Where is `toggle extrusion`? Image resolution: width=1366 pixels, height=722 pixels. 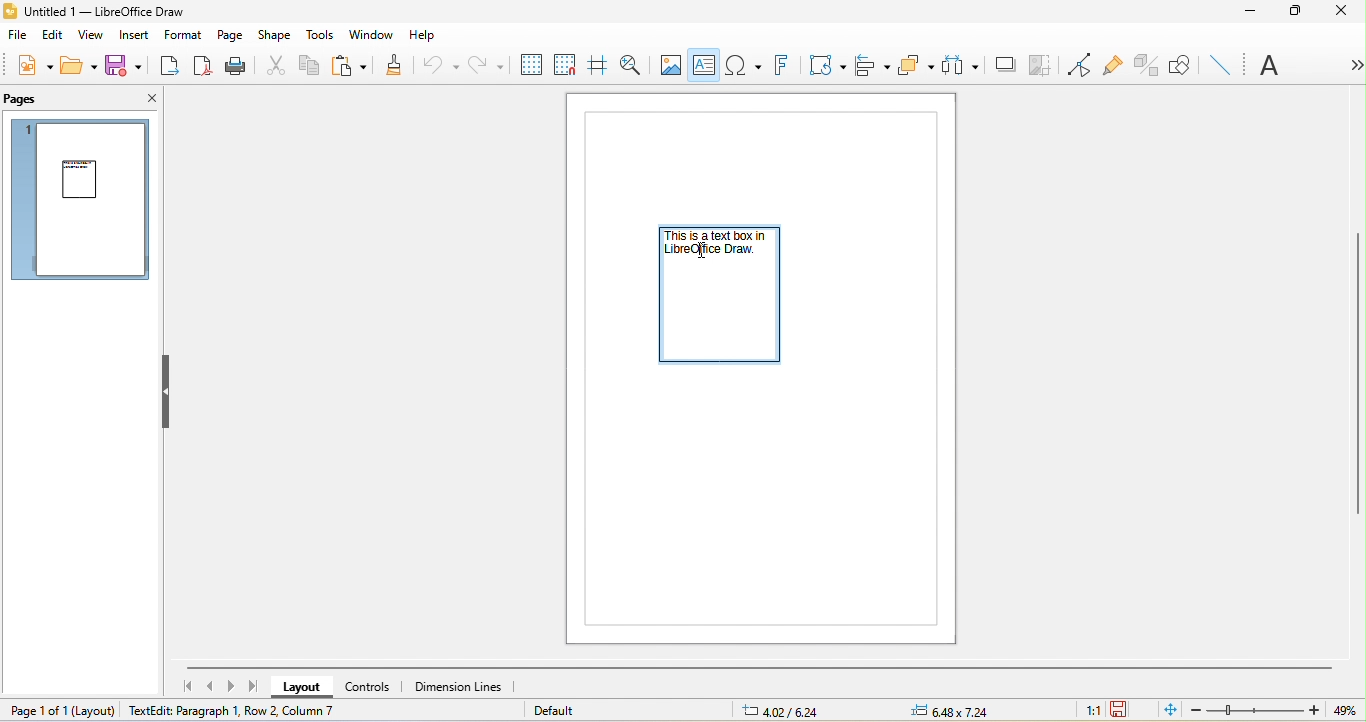 toggle extrusion is located at coordinates (1149, 63).